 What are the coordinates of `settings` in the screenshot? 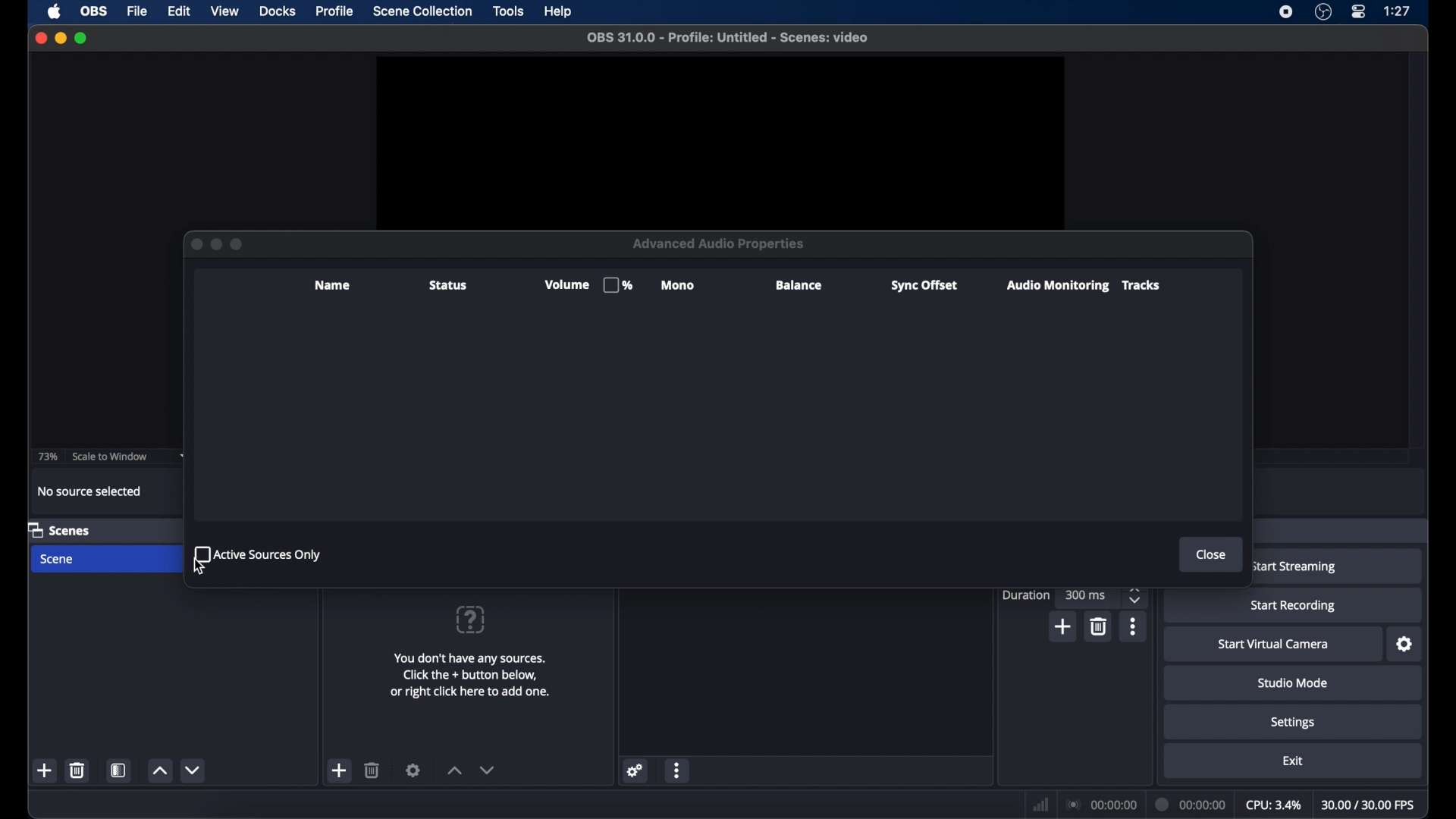 It's located at (636, 770).